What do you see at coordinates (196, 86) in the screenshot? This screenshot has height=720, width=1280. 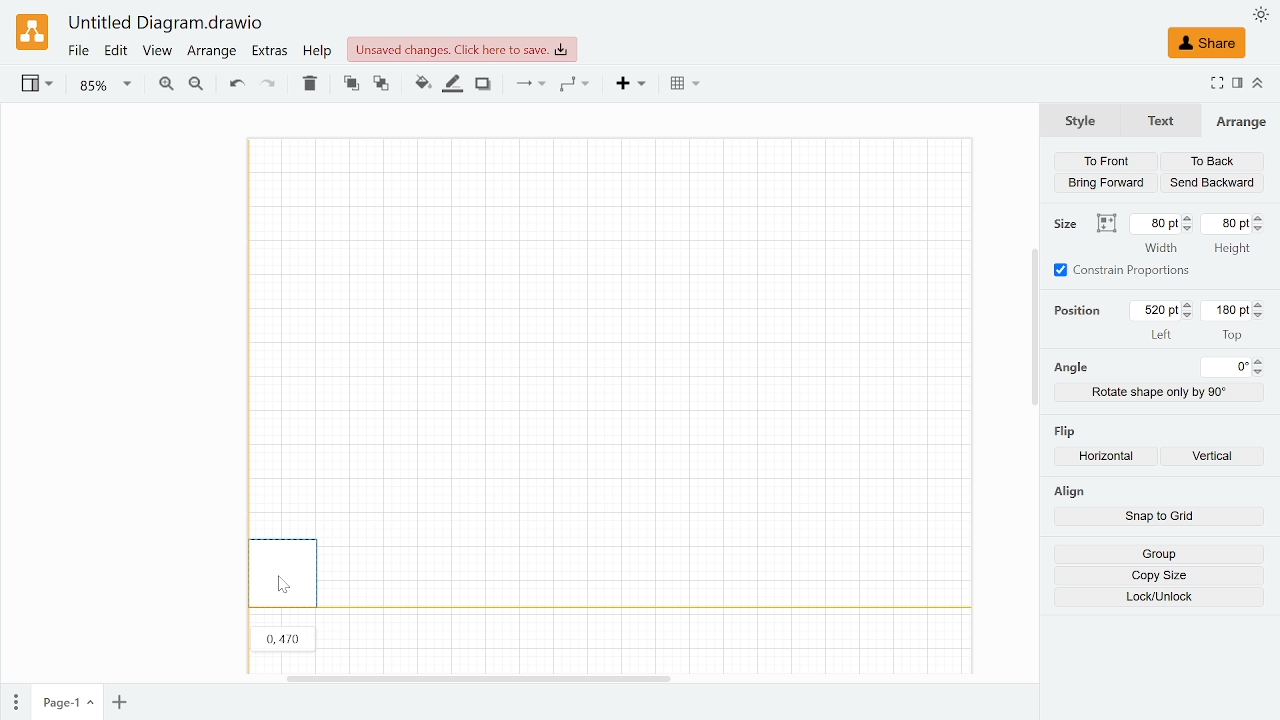 I see `Zoom out` at bounding box center [196, 86].